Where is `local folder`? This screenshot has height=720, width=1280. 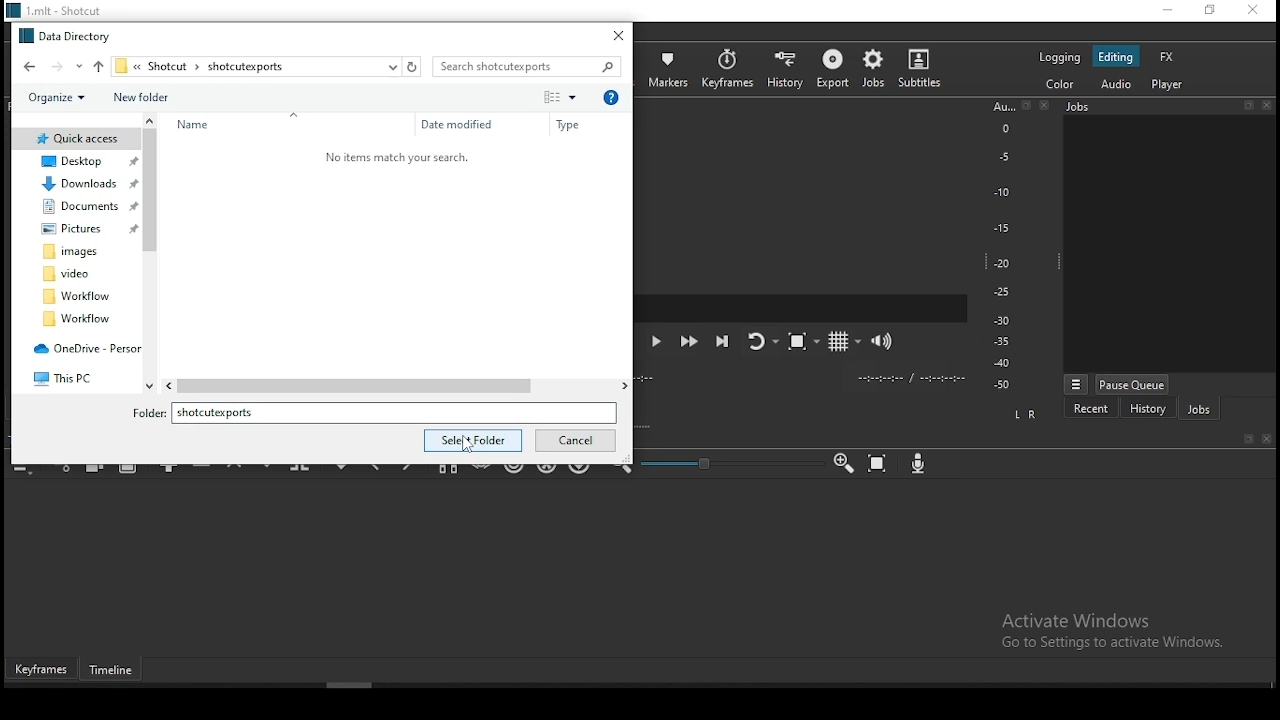 local folder is located at coordinates (77, 320).